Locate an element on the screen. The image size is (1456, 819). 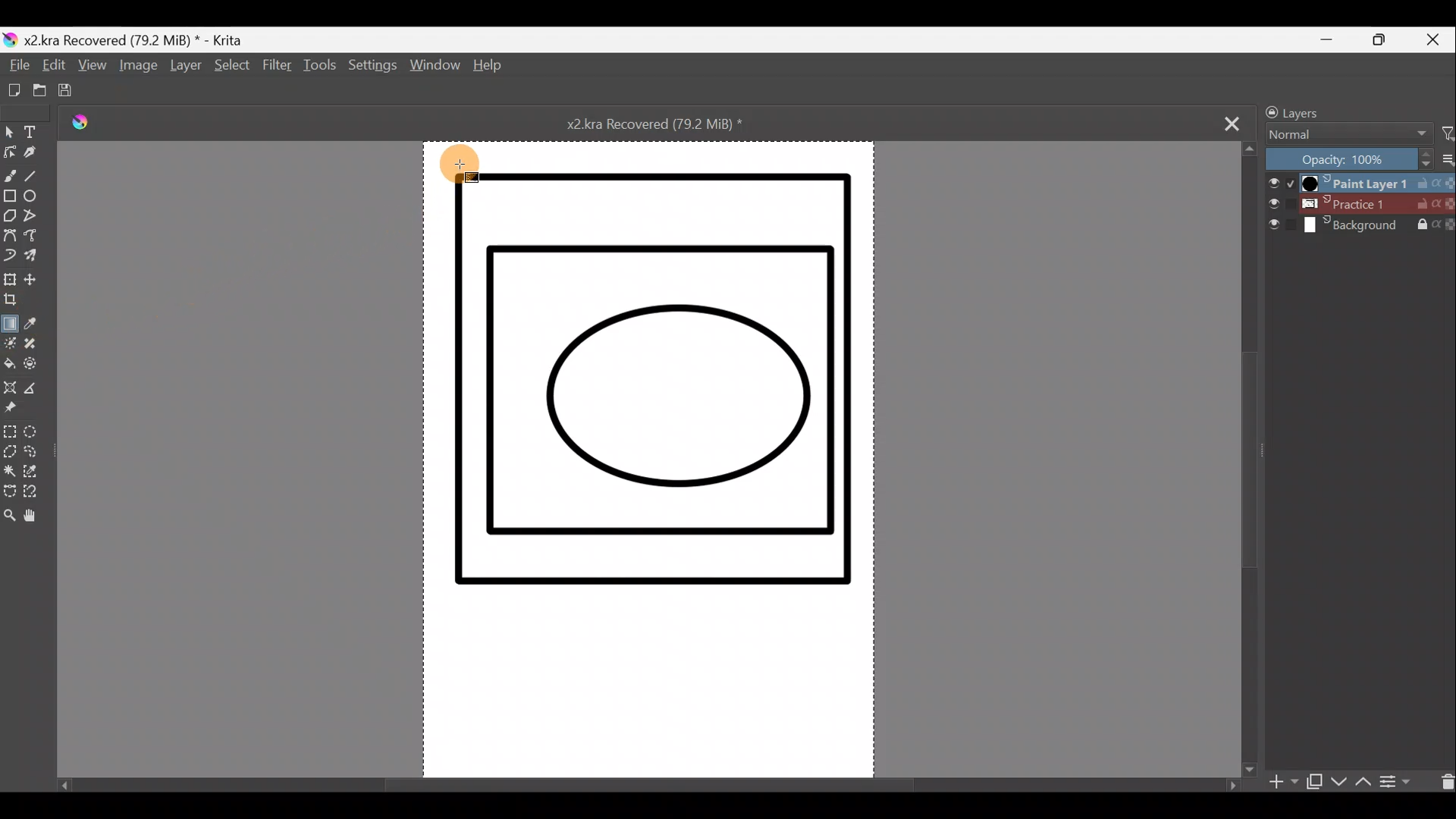
Multibrush tool is located at coordinates (36, 257).